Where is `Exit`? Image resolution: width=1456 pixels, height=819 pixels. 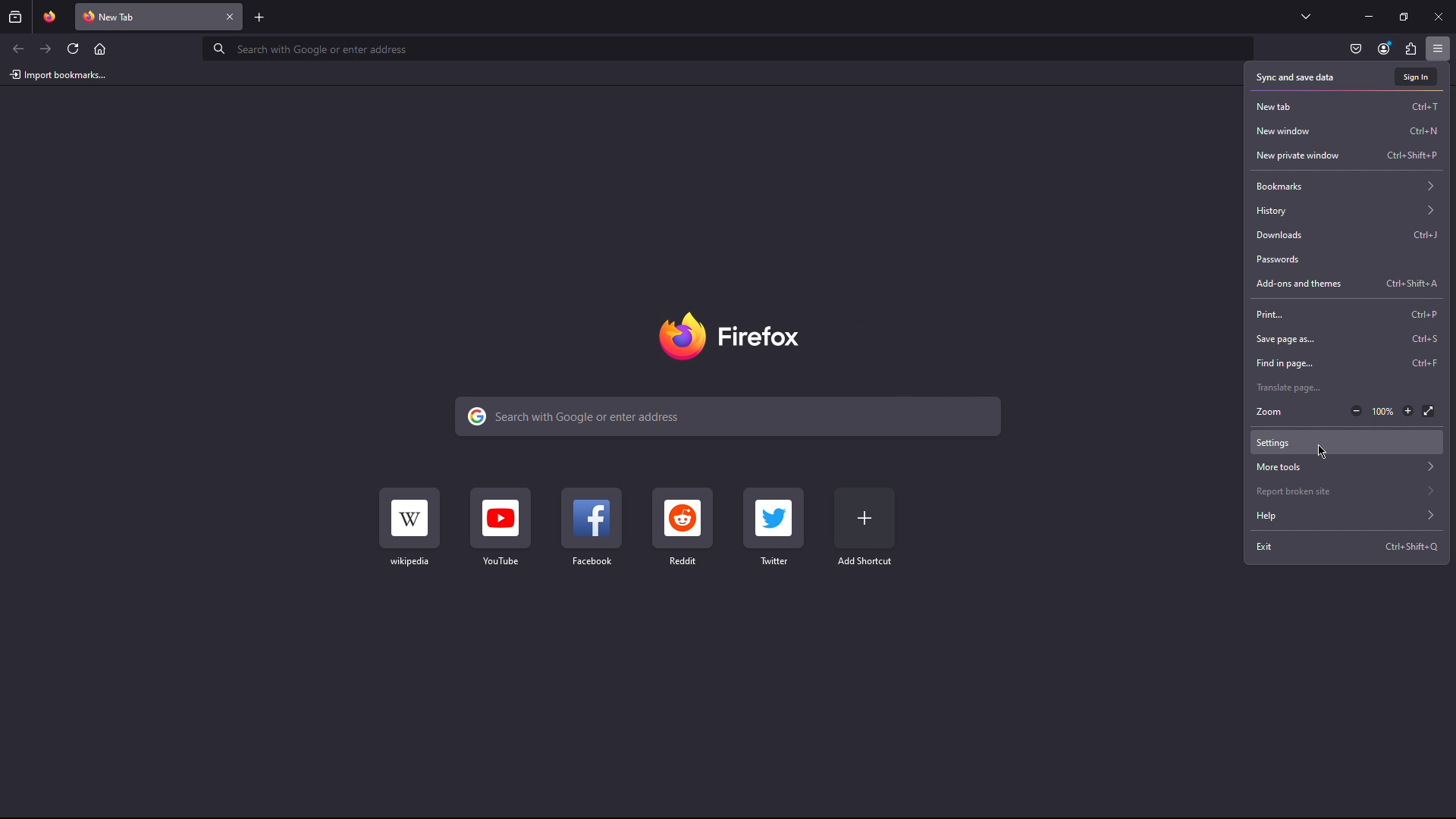
Exit is located at coordinates (1346, 547).